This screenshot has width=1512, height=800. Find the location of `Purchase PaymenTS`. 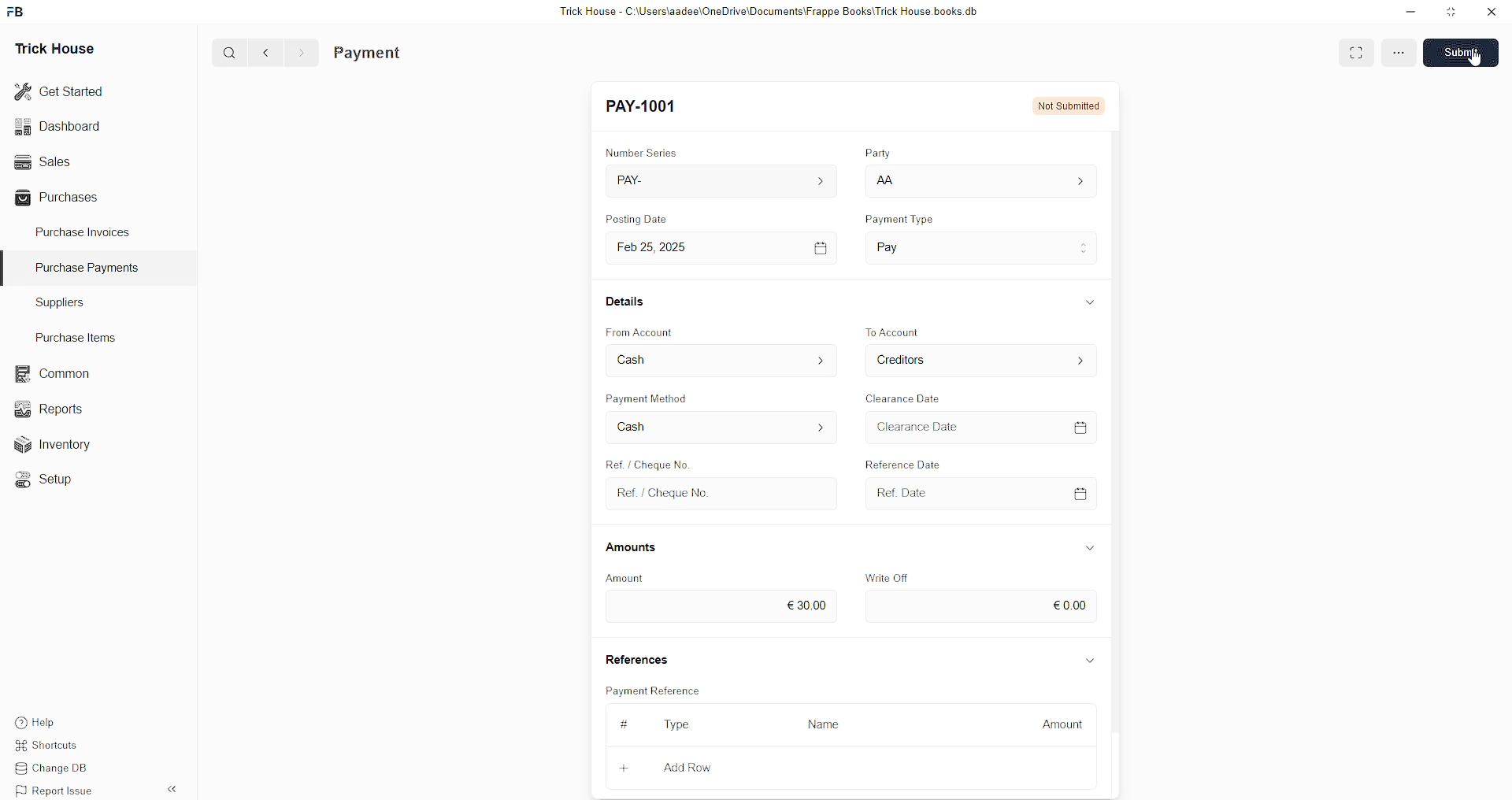

Purchase PaymenTS is located at coordinates (83, 268).